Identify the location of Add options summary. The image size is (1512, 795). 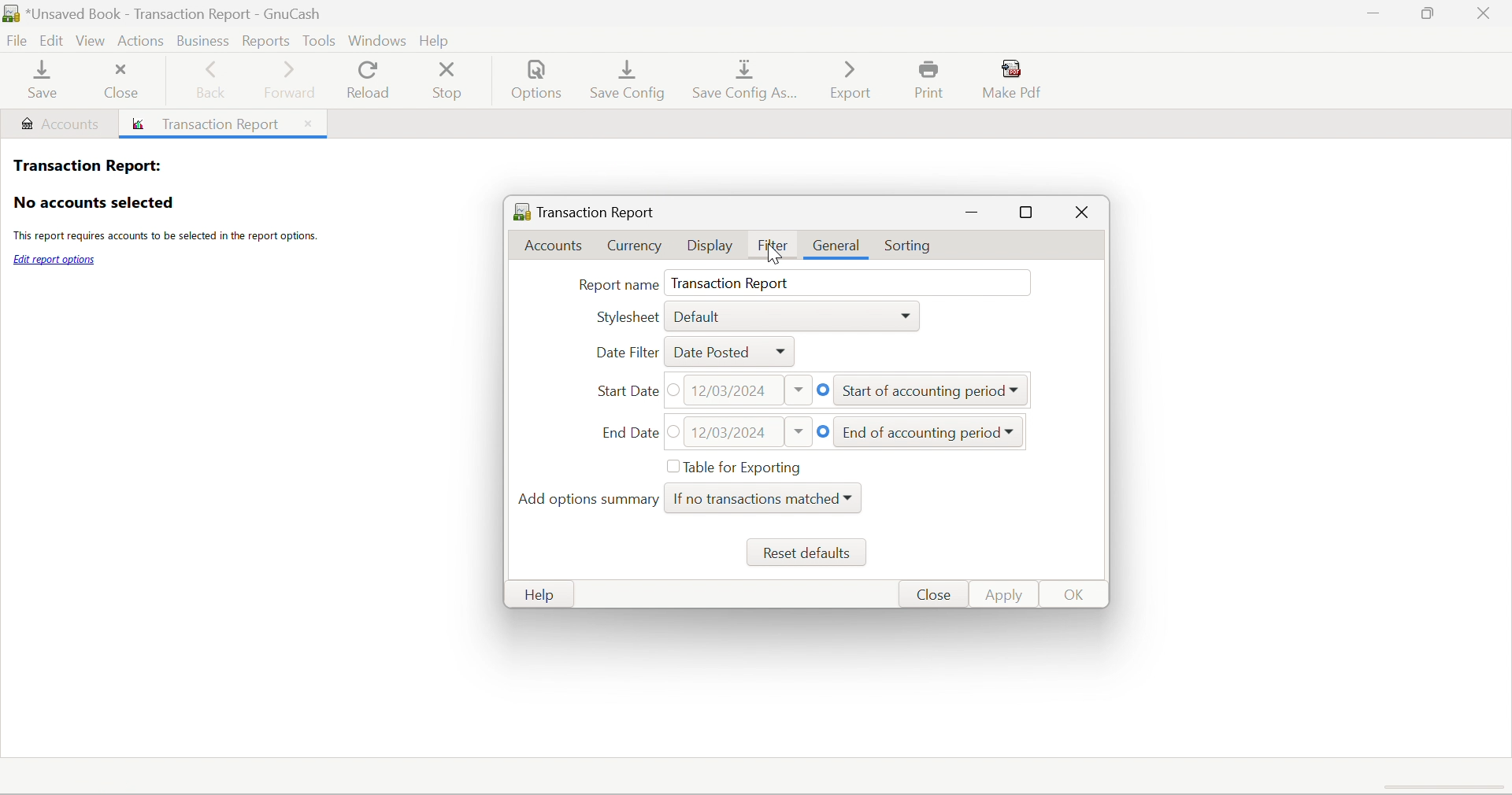
(589, 501).